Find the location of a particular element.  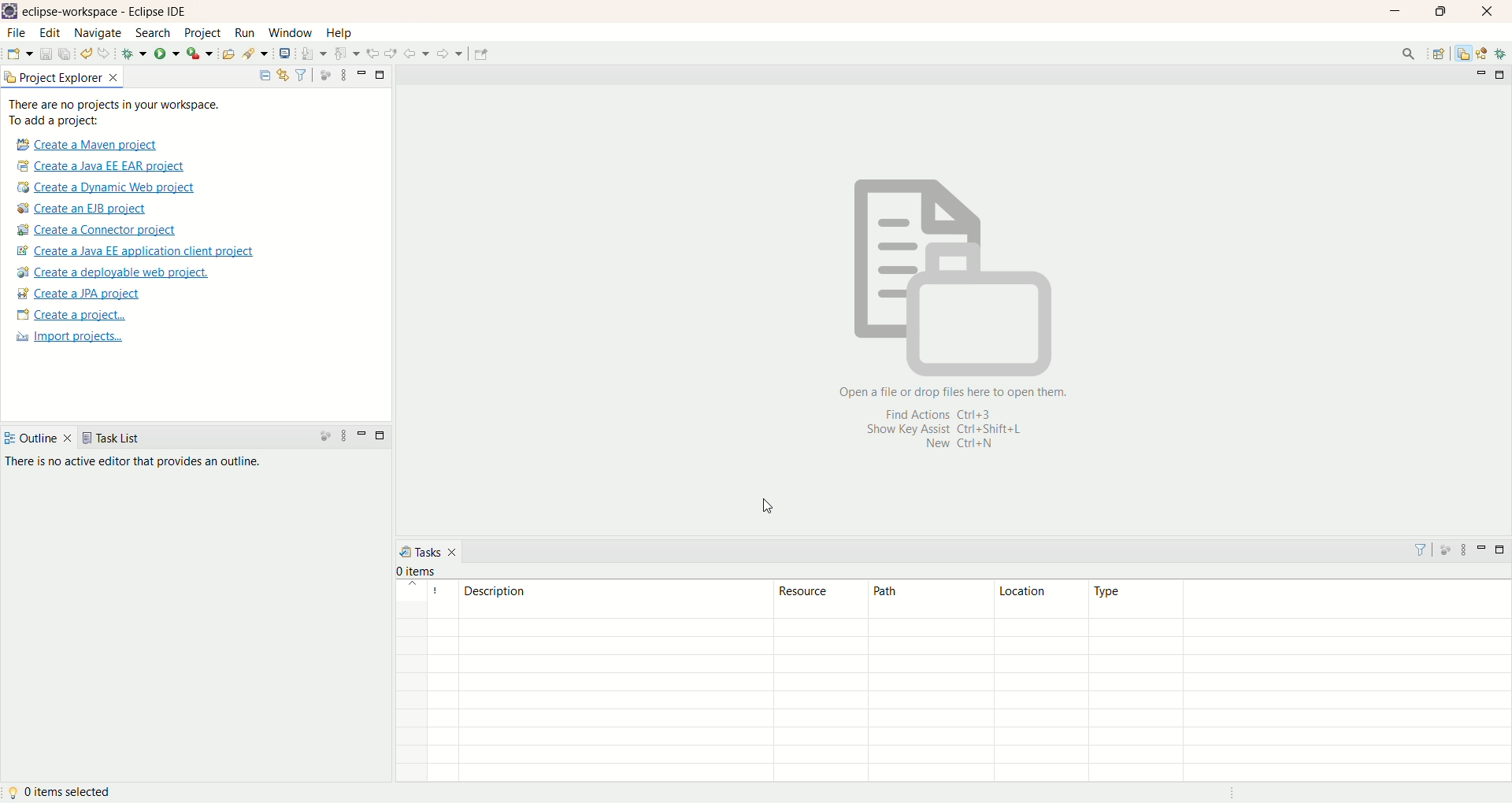

create a deployable web project is located at coordinates (114, 274).